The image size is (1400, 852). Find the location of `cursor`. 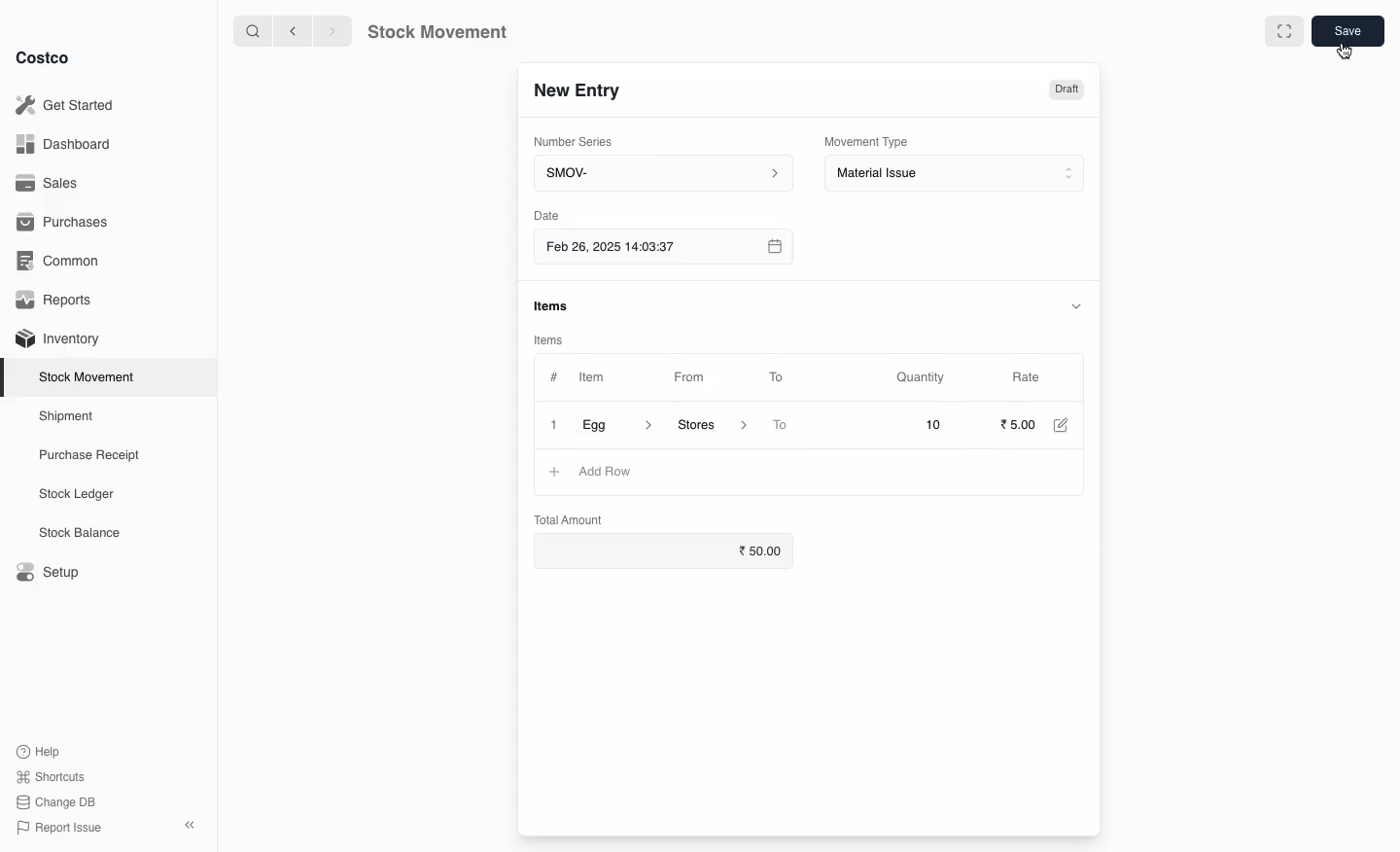

cursor is located at coordinates (1343, 49).